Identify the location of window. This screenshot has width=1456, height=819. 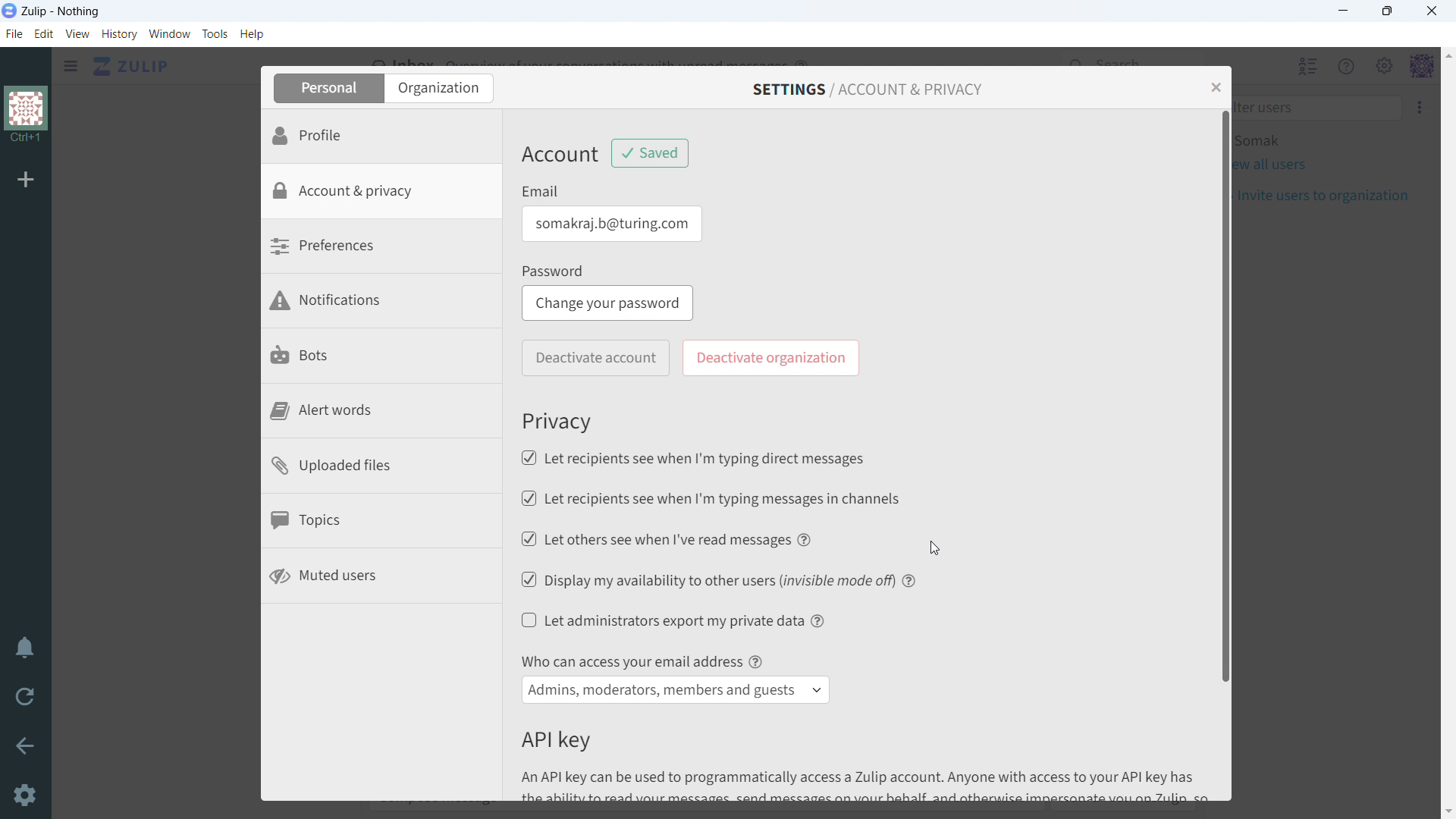
(171, 34).